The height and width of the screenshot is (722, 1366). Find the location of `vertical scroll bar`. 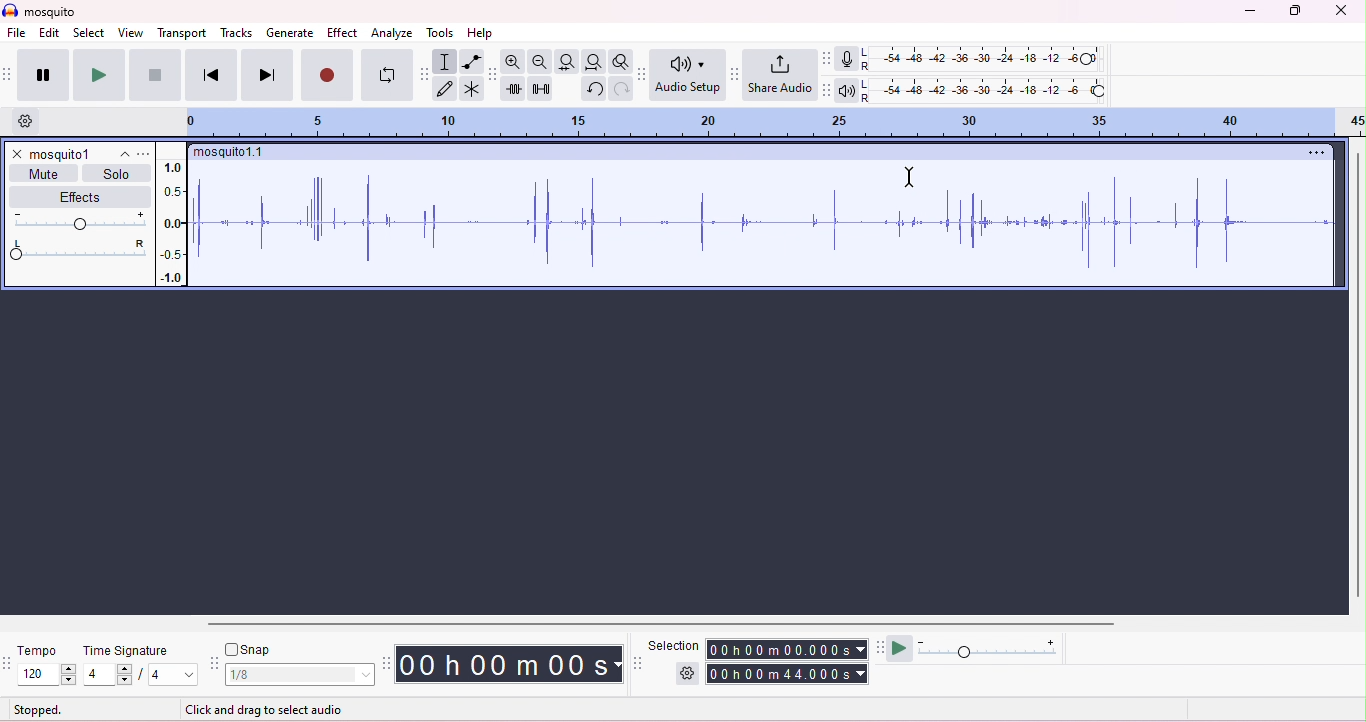

vertical scroll bar is located at coordinates (1357, 373).